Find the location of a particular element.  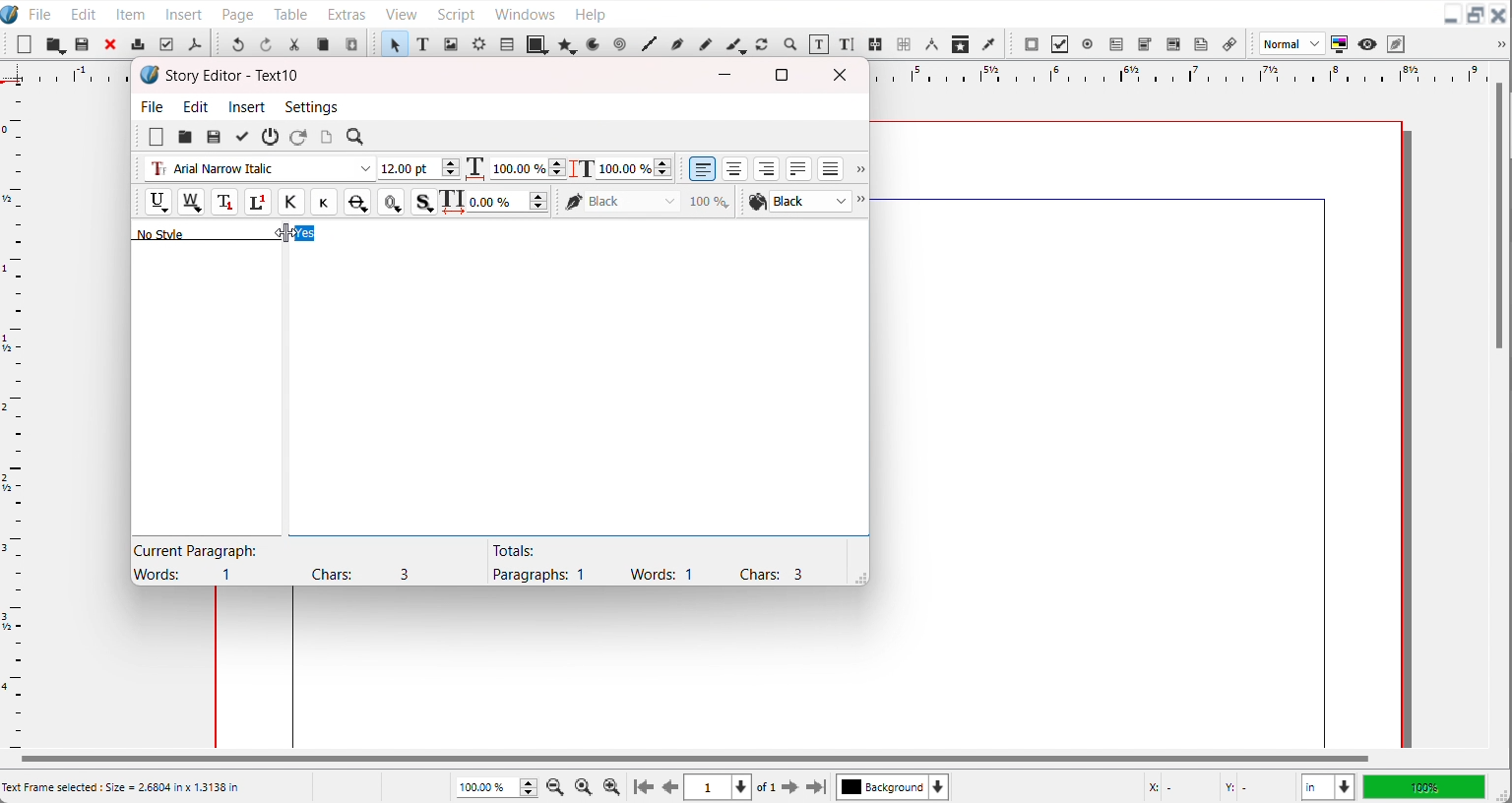

Font size adjuster is located at coordinates (418, 168).